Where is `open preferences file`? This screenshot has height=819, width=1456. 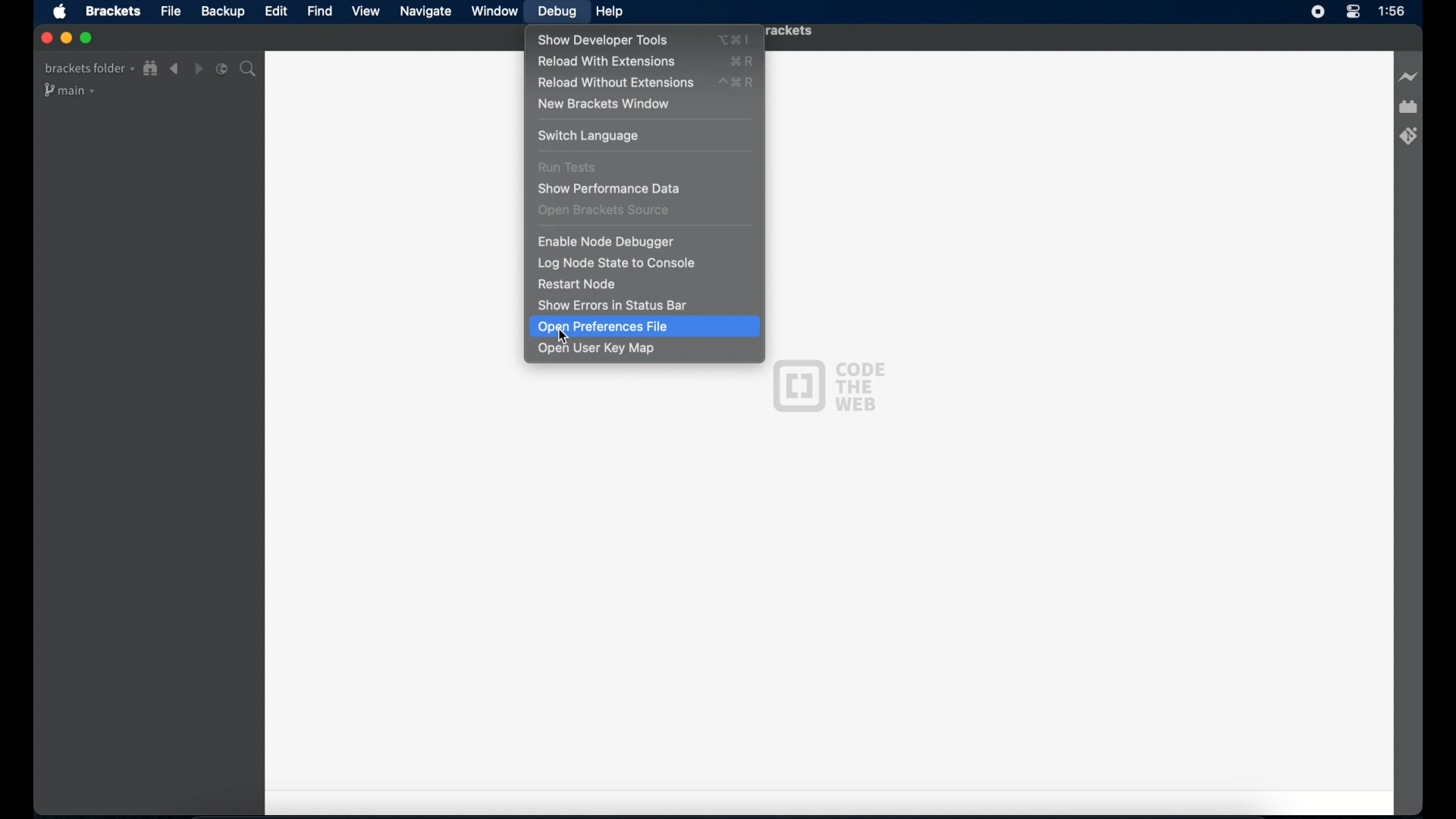
open preferences file is located at coordinates (645, 326).